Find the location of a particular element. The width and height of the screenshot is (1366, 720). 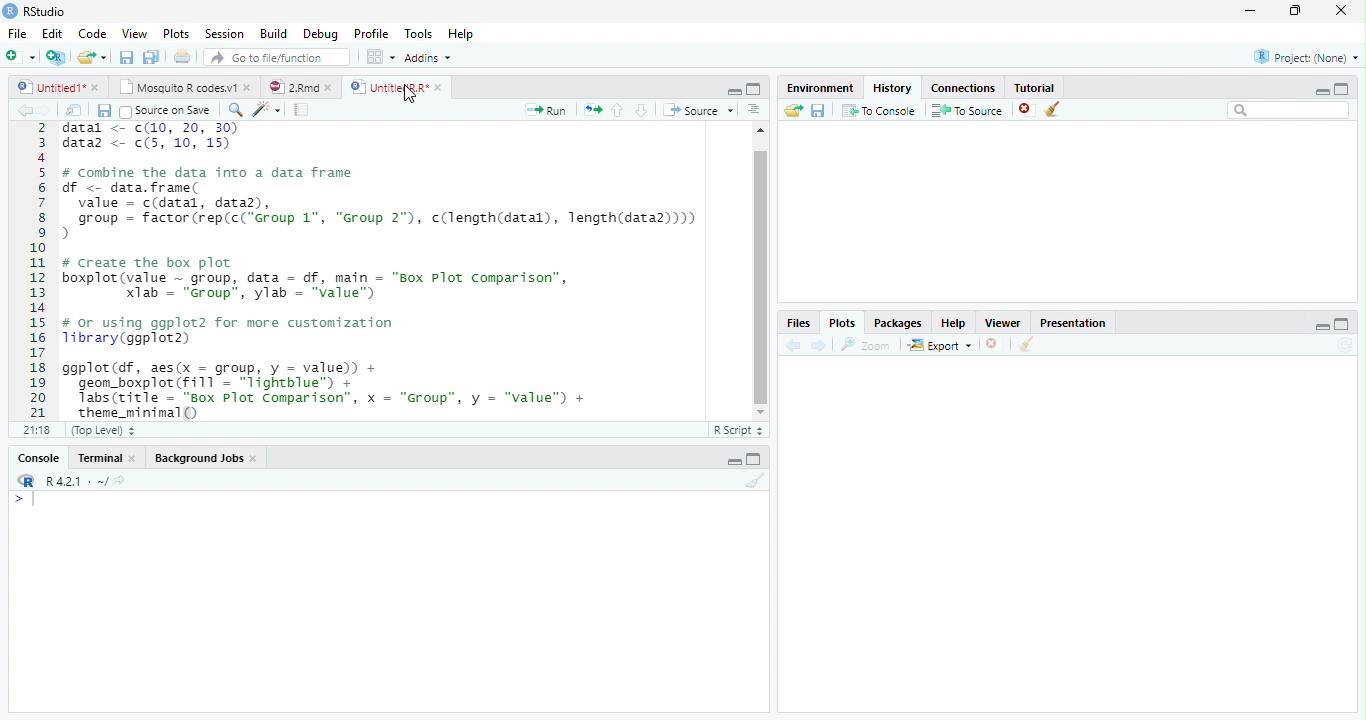

R 4.2.1 . ~/ is located at coordinates (76, 480).